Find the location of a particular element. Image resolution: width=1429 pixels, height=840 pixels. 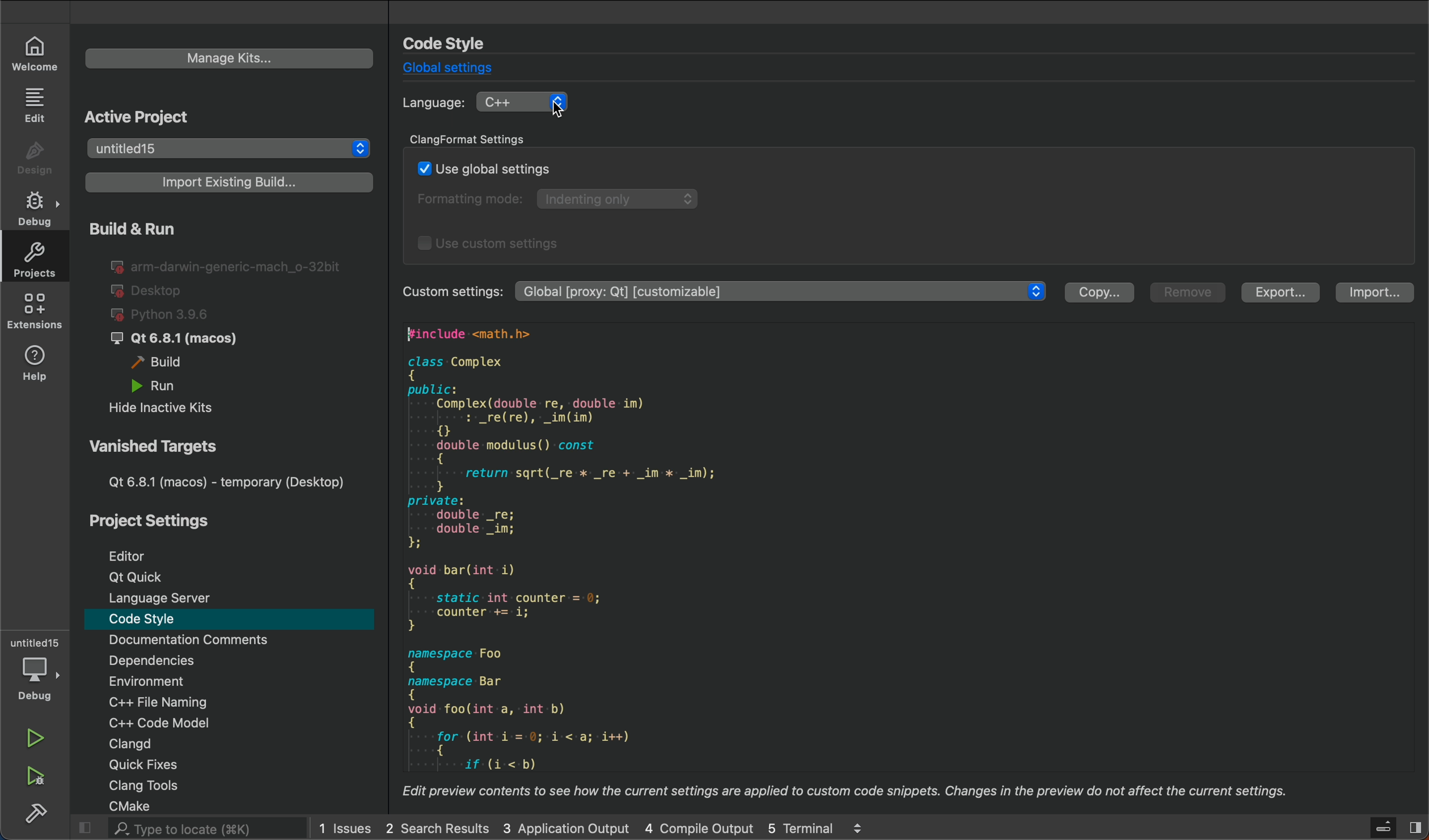

language server is located at coordinates (166, 599).